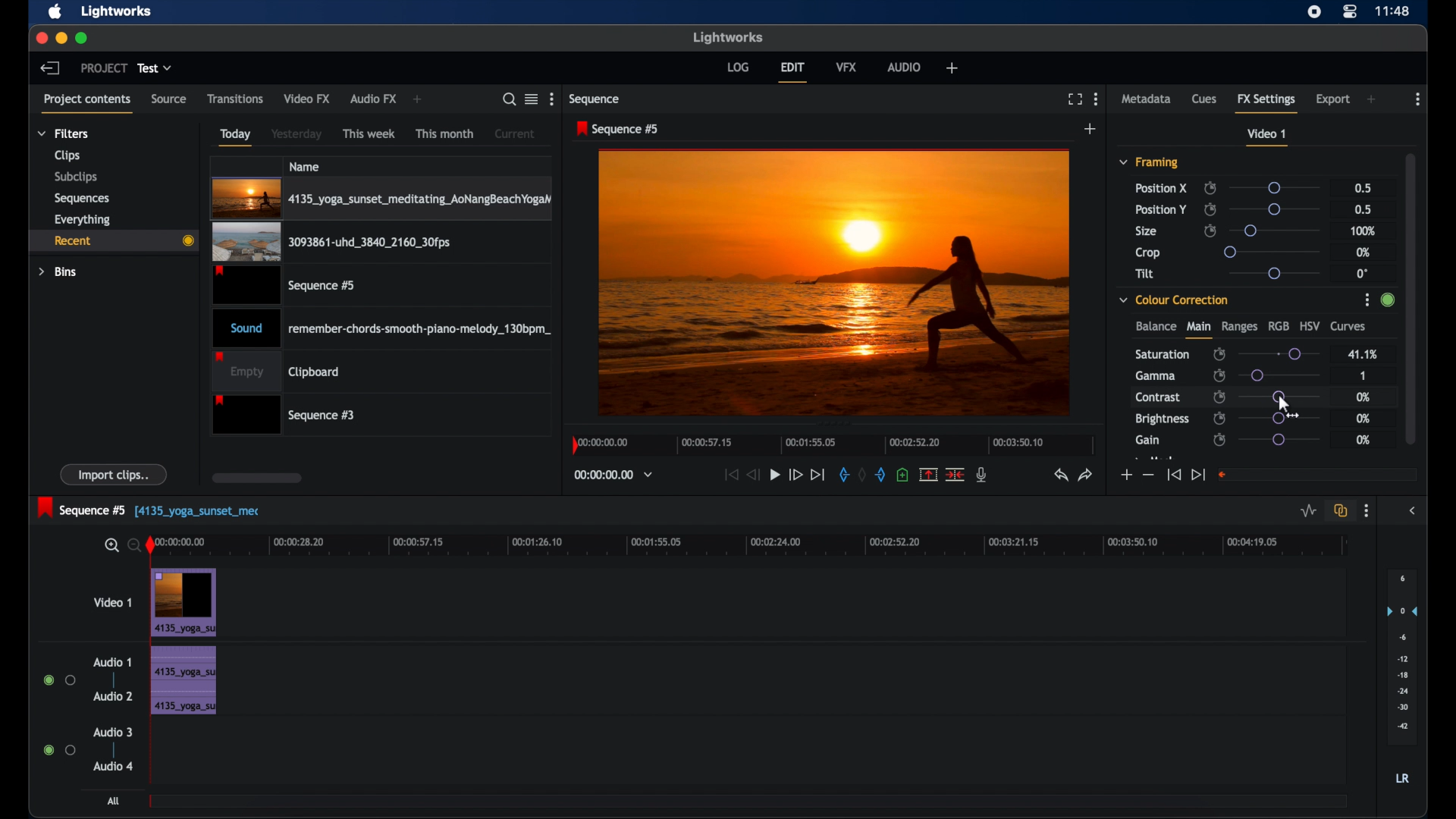 This screenshot has height=819, width=1456. I want to click on 0.5, so click(1362, 209).